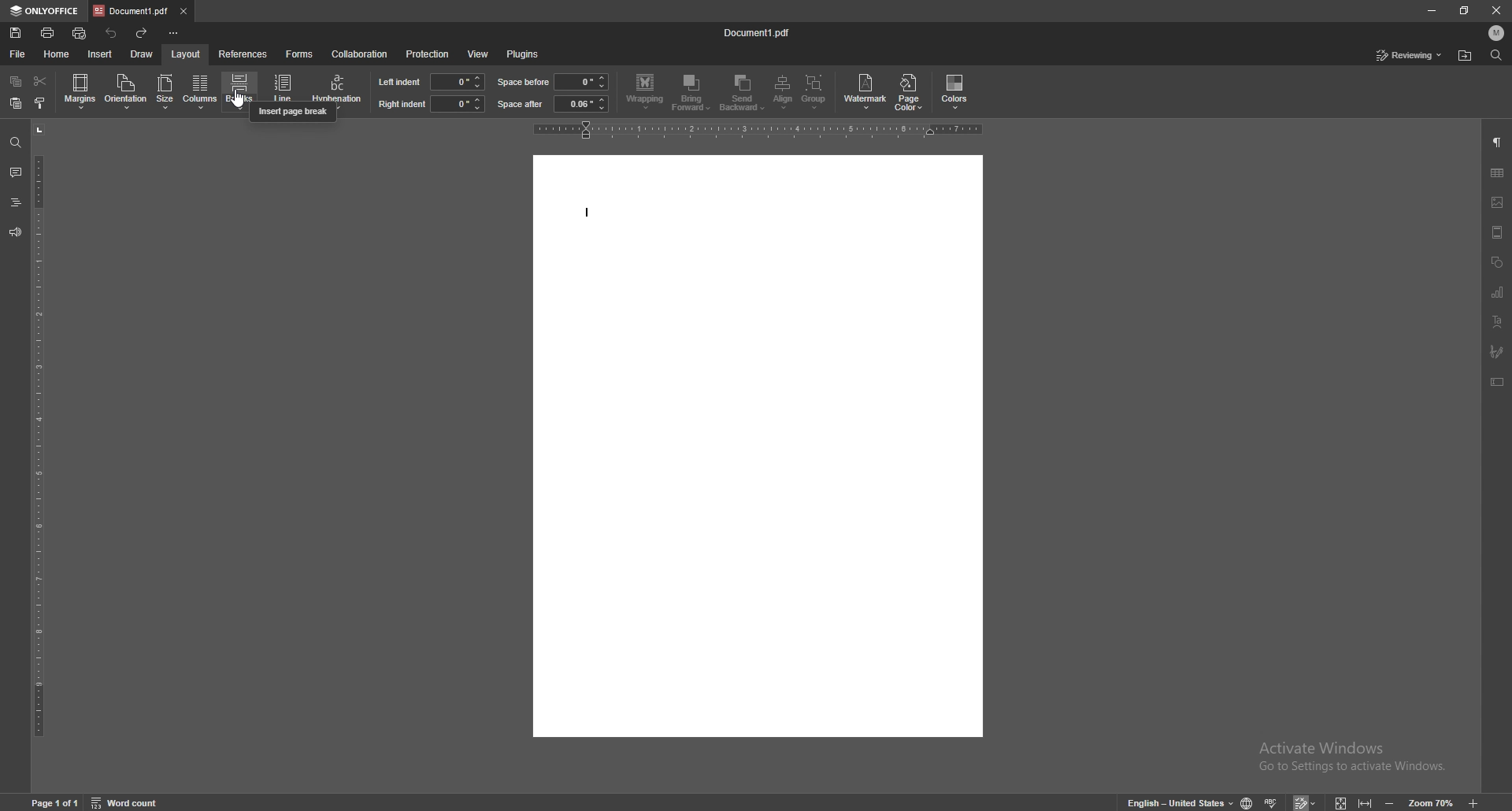  Describe the element at coordinates (337, 87) in the screenshot. I see `hyphenation` at that location.